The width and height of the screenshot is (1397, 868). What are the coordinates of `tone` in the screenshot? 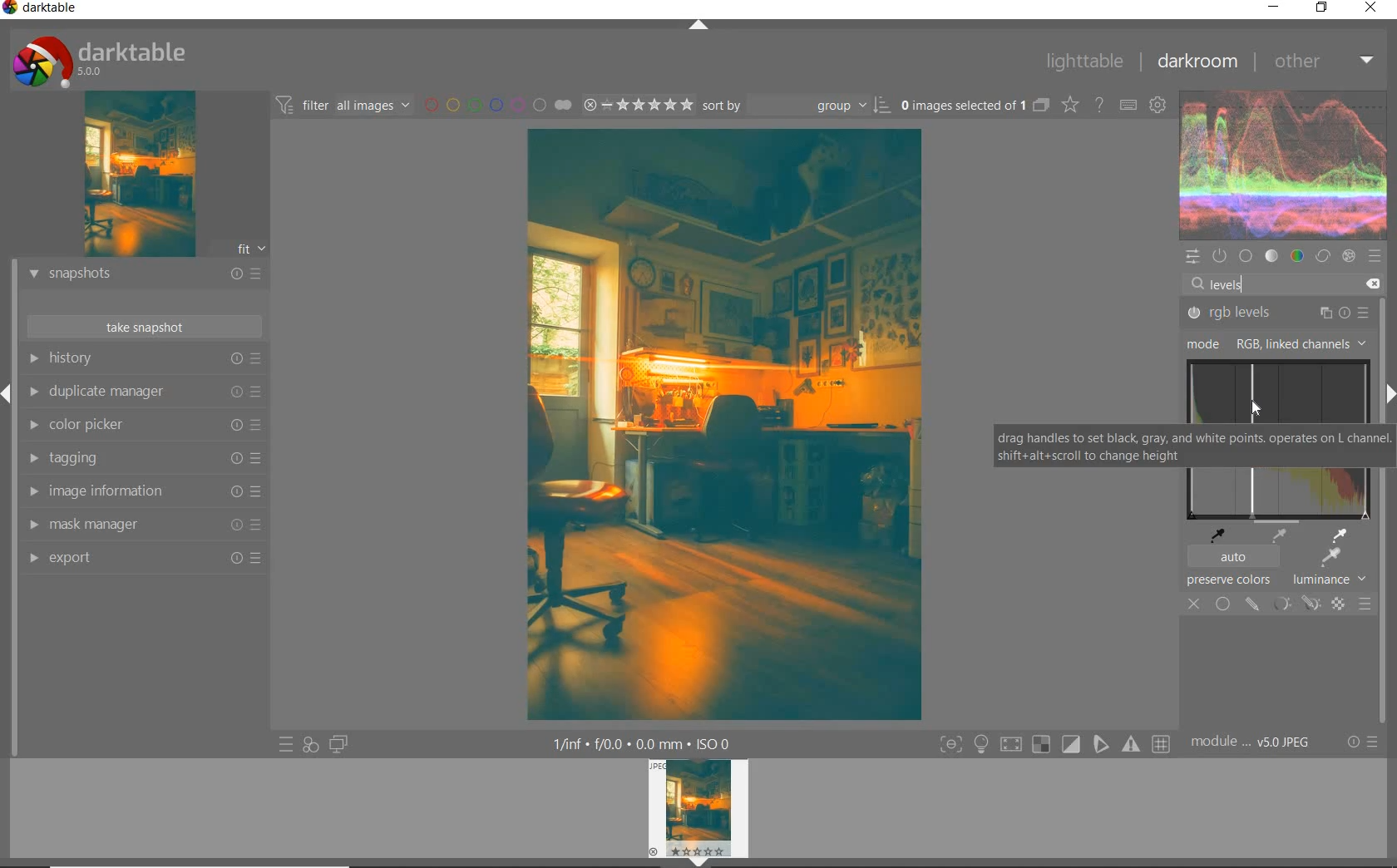 It's located at (1272, 255).